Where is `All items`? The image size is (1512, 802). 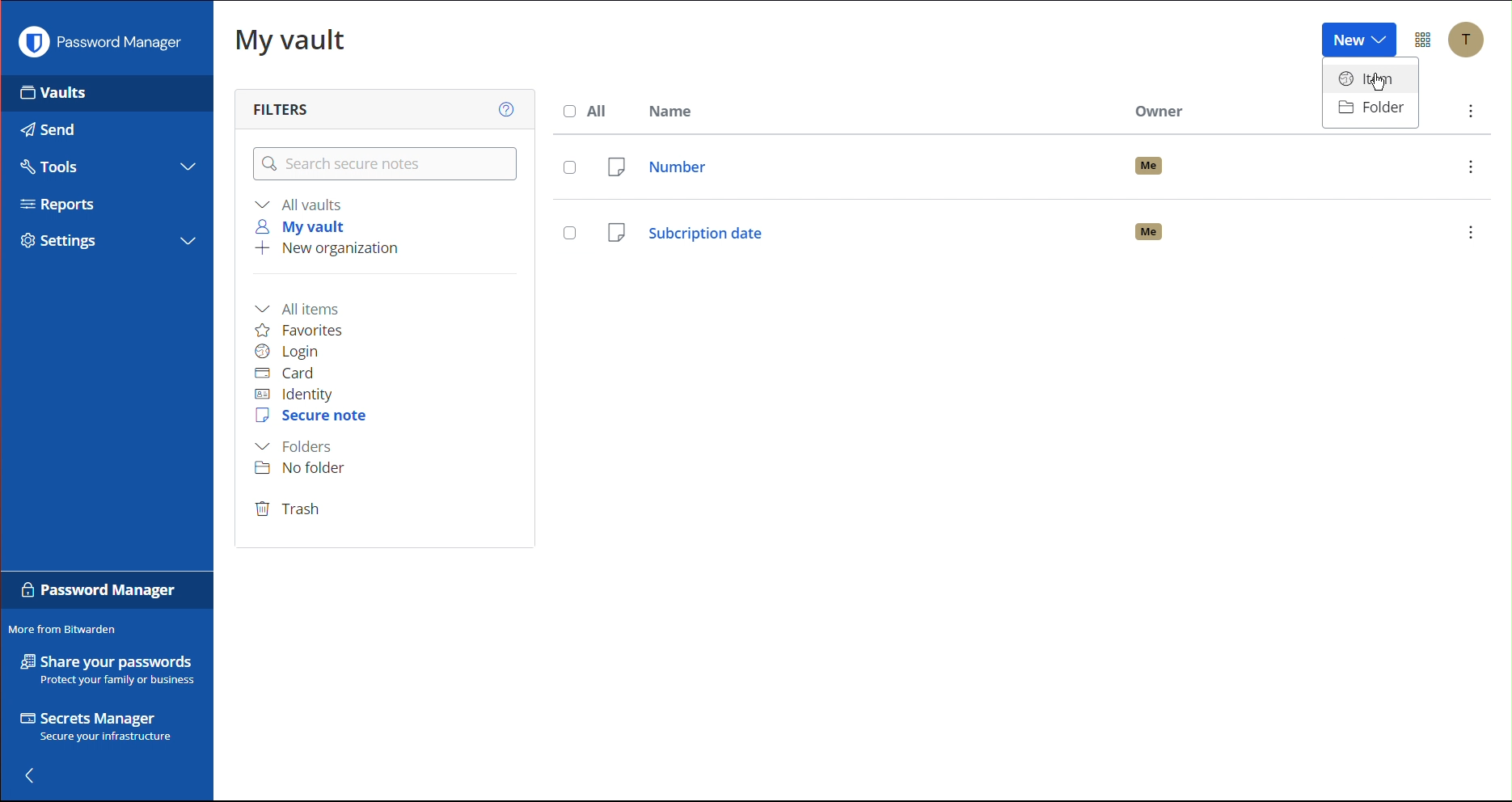 All items is located at coordinates (302, 306).